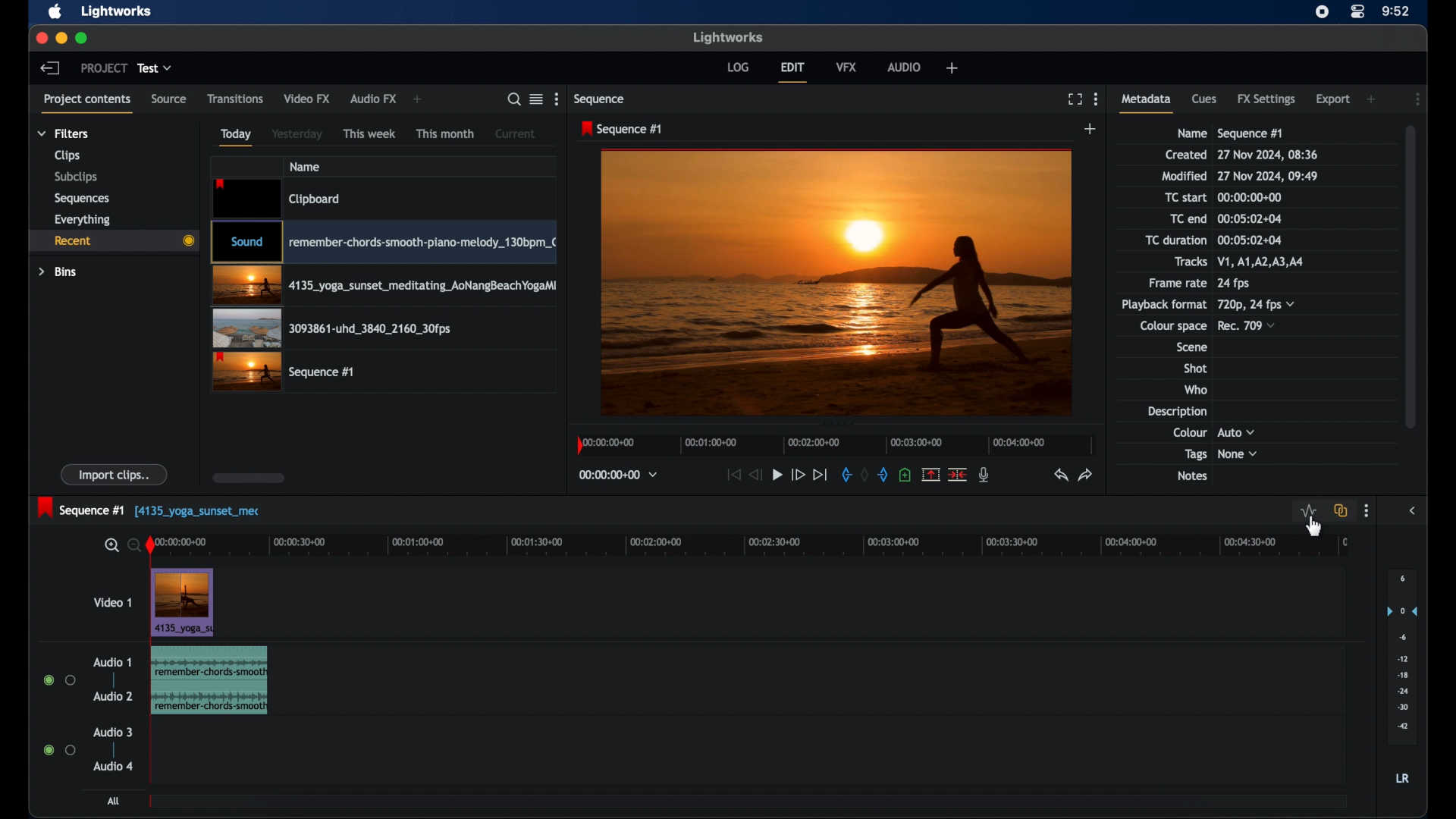 The width and height of the screenshot is (1456, 819). What do you see at coordinates (1191, 476) in the screenshot?
I see `notes` at bounding box center [1191, 476].